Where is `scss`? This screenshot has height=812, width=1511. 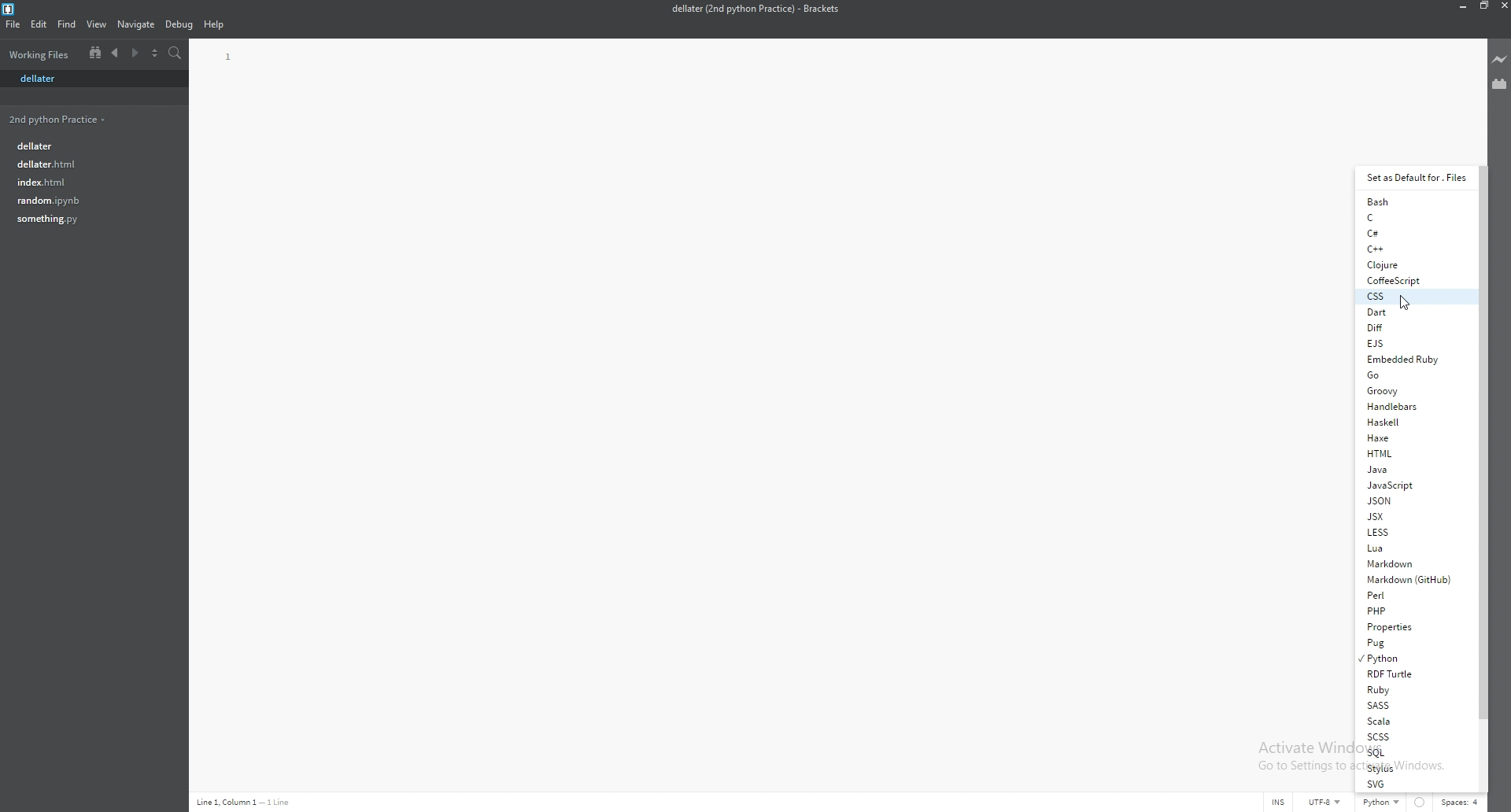 scss is located at coordinates (1413, 736).